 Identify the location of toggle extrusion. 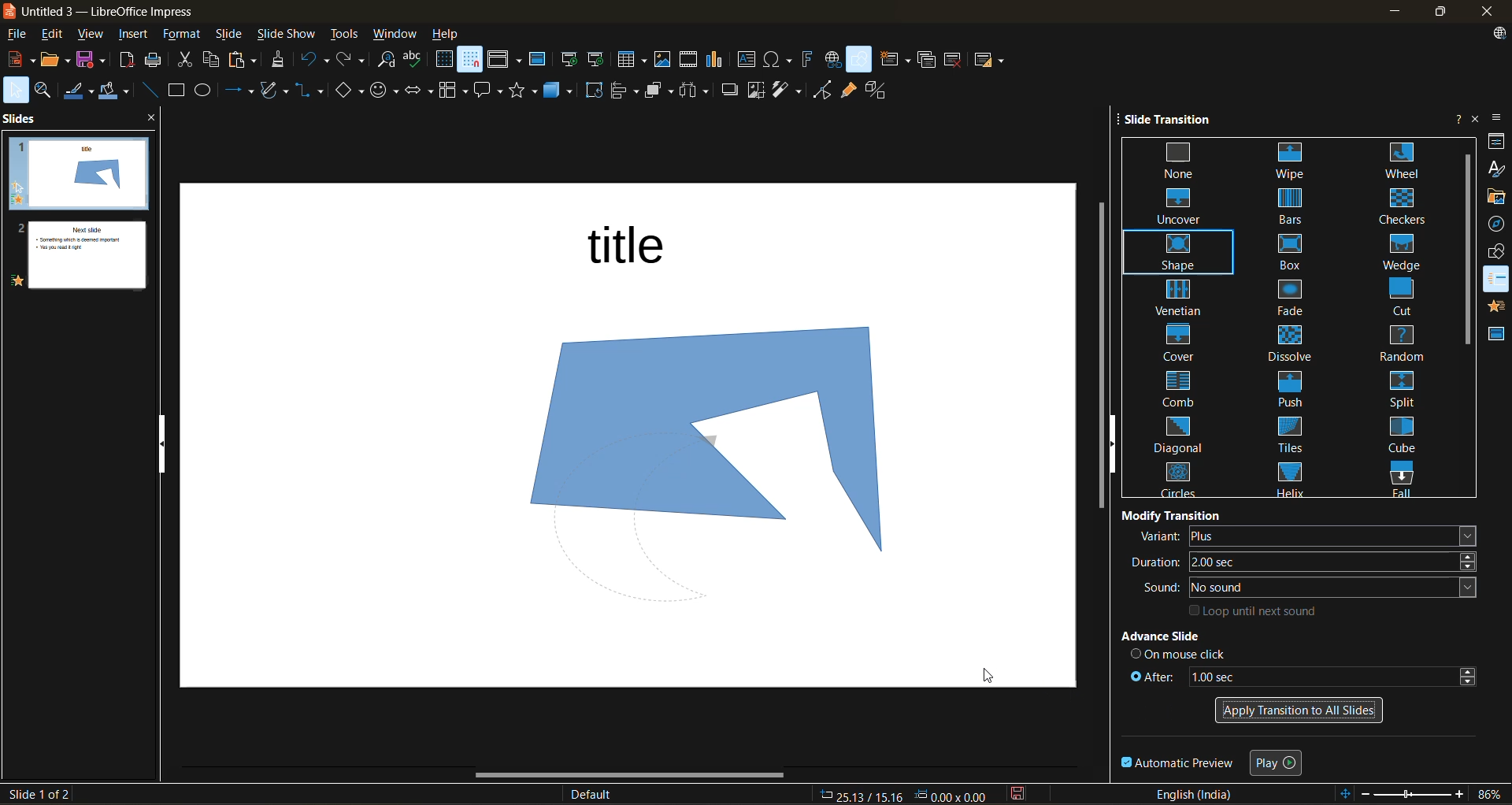
(881, 90).